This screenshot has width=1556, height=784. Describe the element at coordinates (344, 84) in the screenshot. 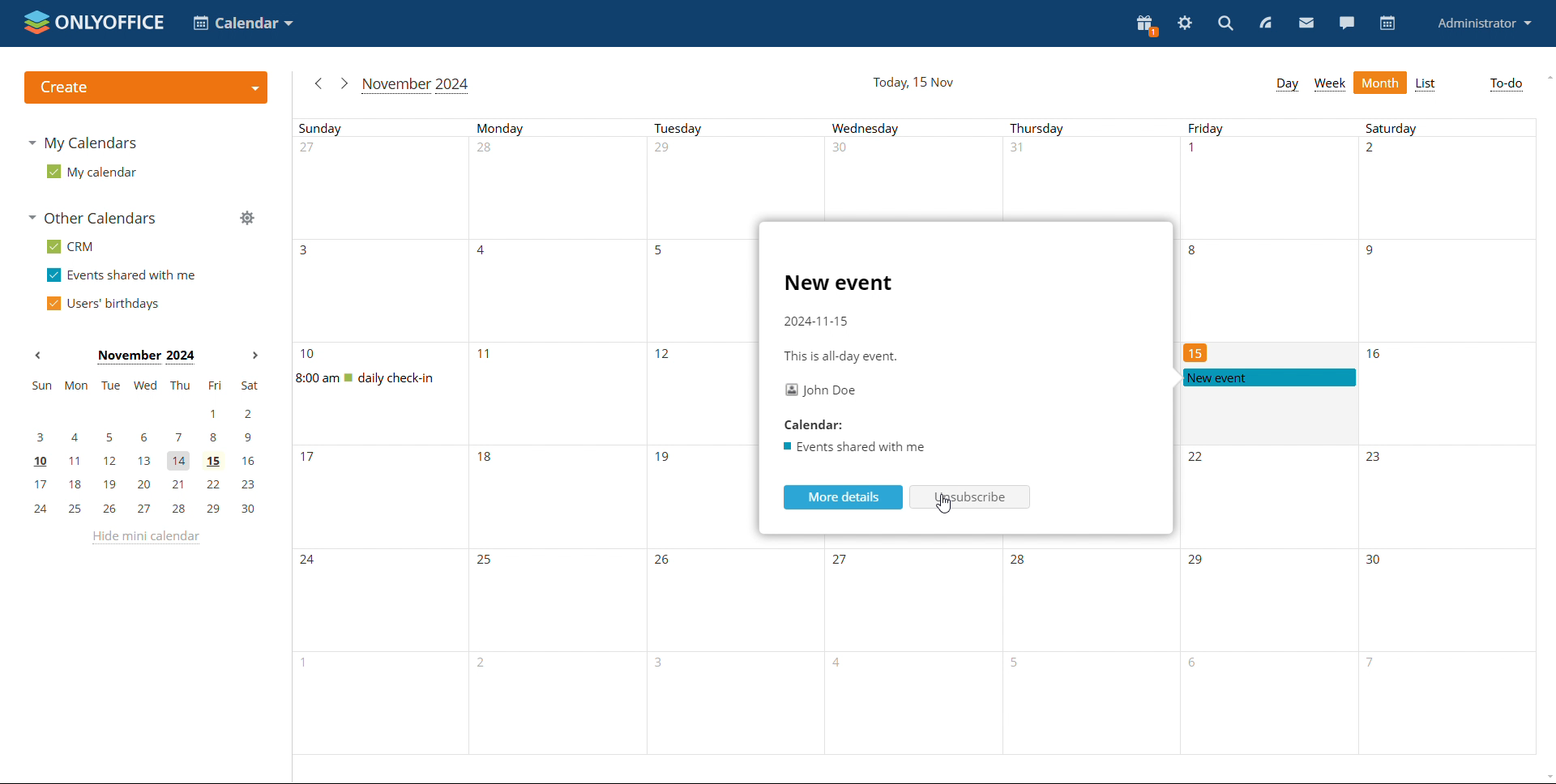

I see `next month` at that location.